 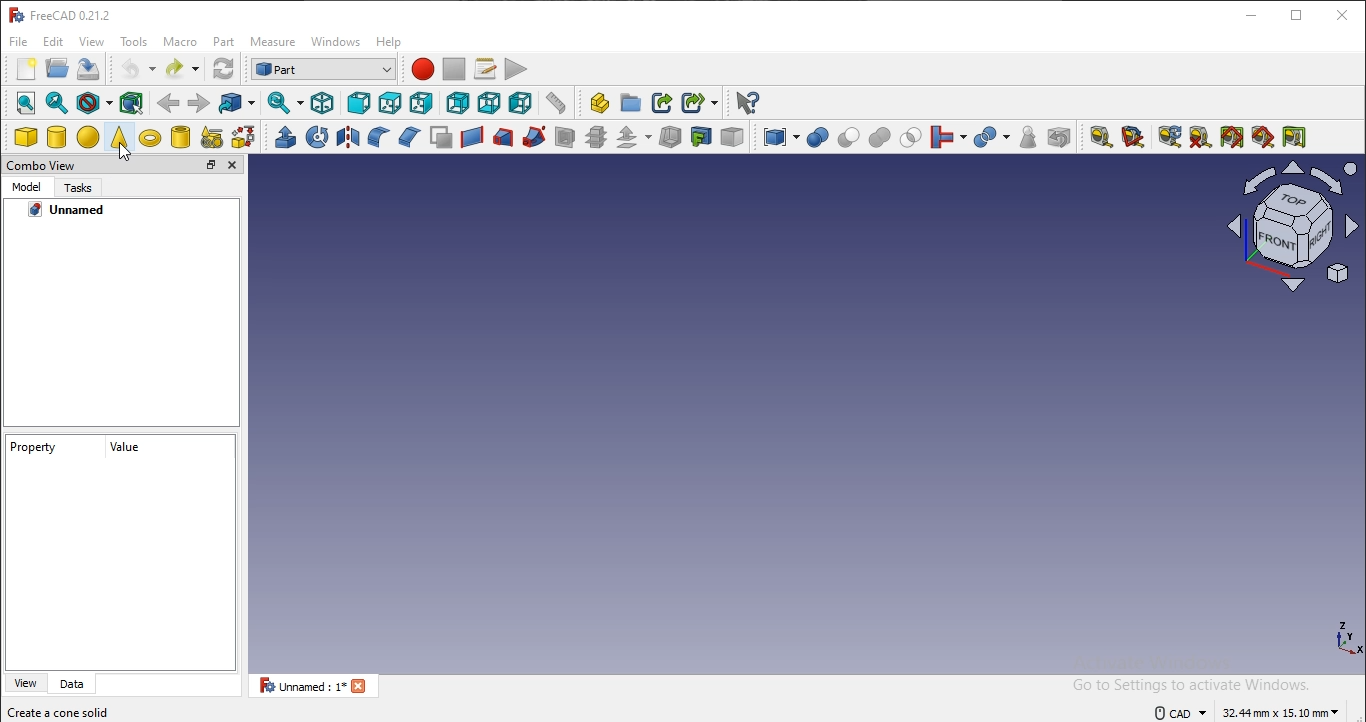 What do you see at coordinates (1249, 15) in the screenshot?
I see `minimize` at bounding box center [1249, 15].